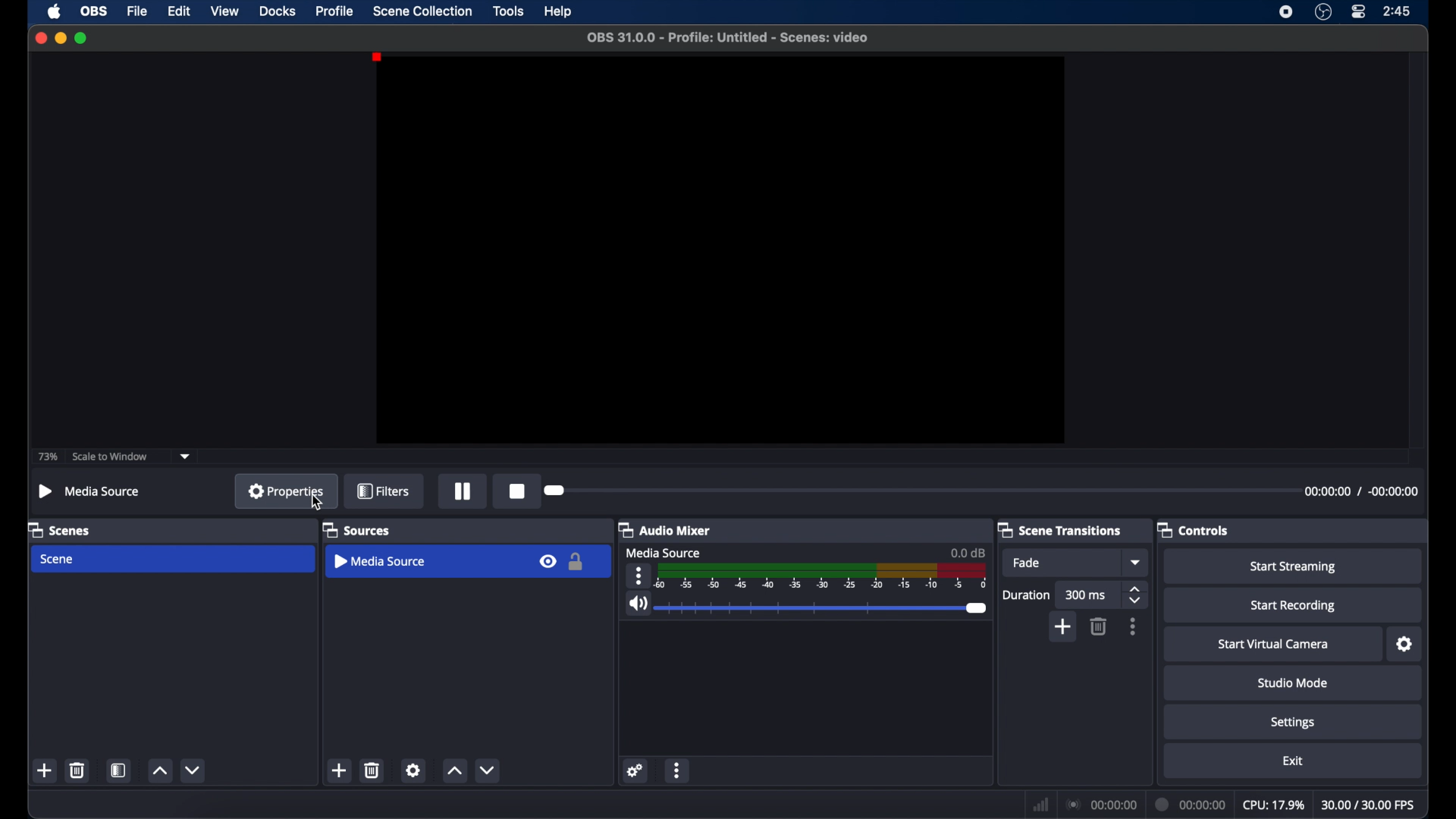 The image size is (1456, 819). What do you see at coordinates (1134, 627) in the screenshot?
I see `more options` at bounding box center [1134, 627].